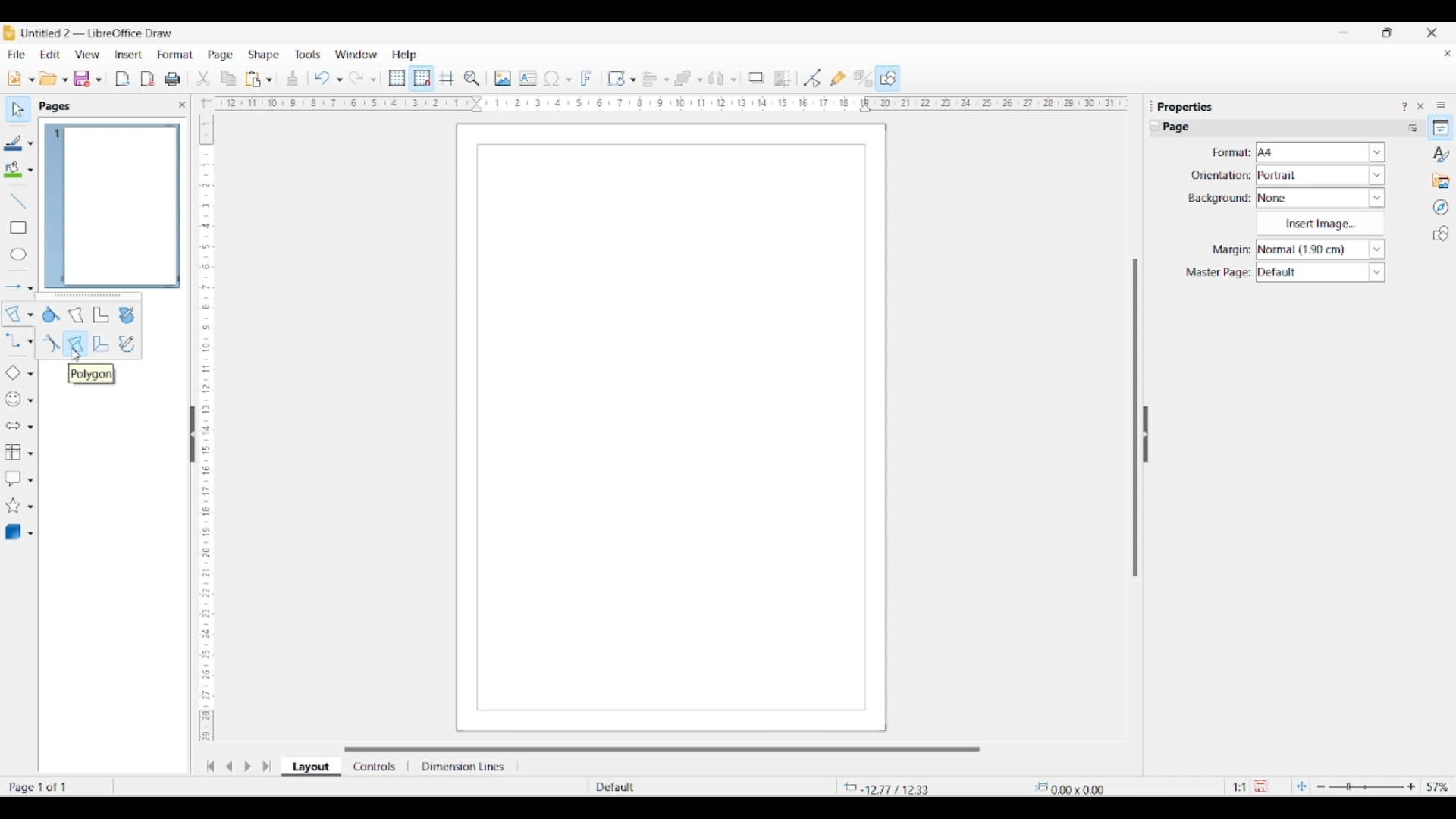 The image size is (1456, 819). I want to click on Cursor co-ordinates, so click(890, 787).